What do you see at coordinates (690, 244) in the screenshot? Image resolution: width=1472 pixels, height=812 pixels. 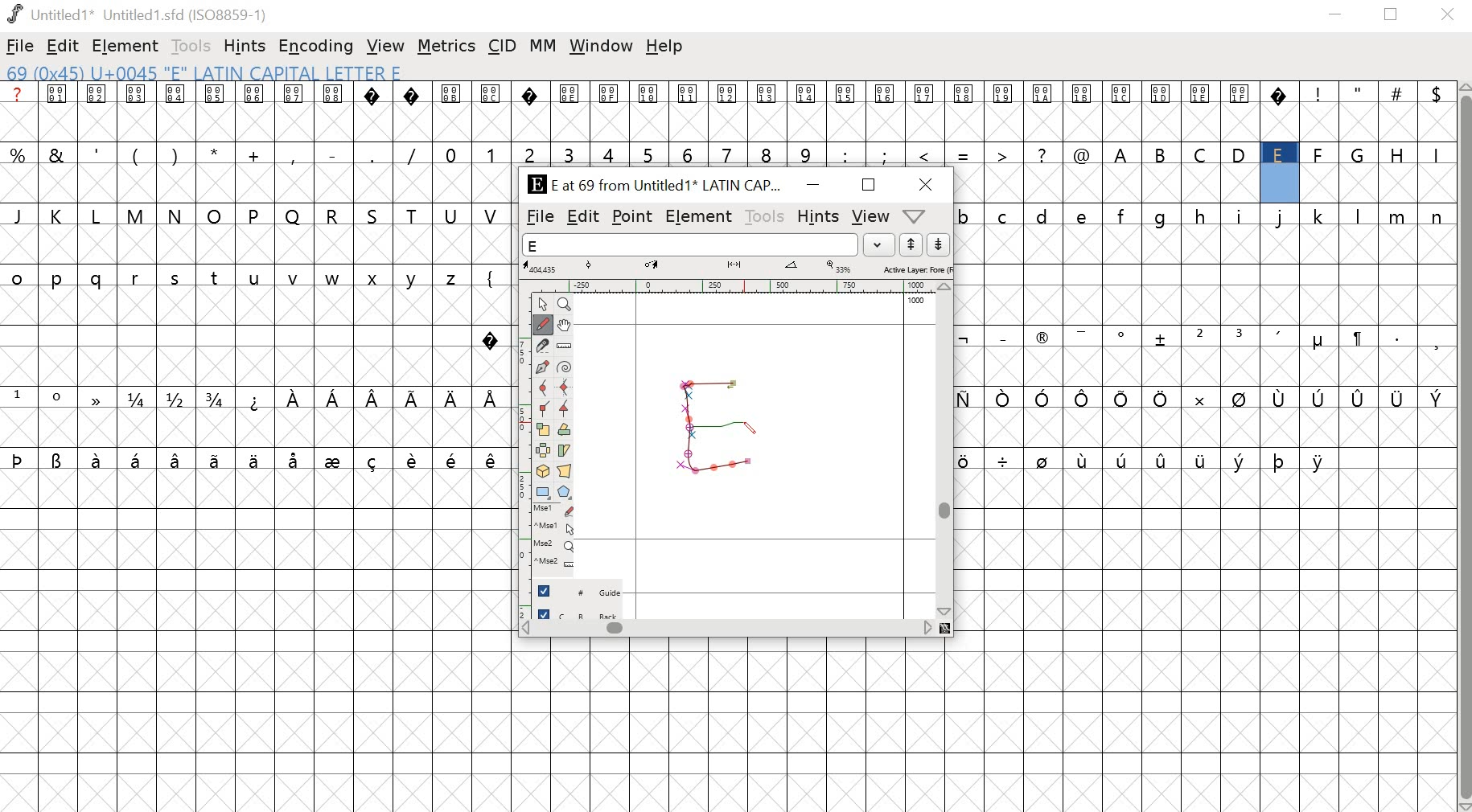 I see `word list field` at bounding box center [690, 244].